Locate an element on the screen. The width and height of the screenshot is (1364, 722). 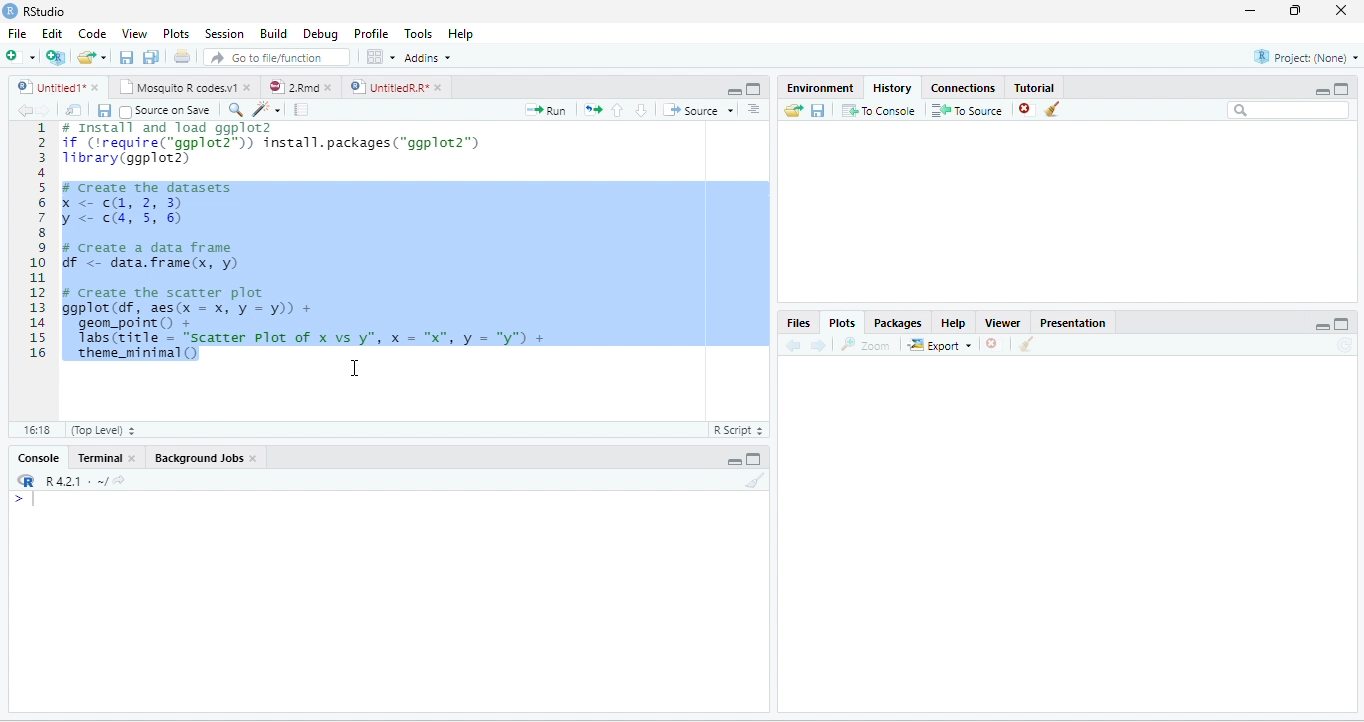
Open recent files is located at coordinates (103, 57).